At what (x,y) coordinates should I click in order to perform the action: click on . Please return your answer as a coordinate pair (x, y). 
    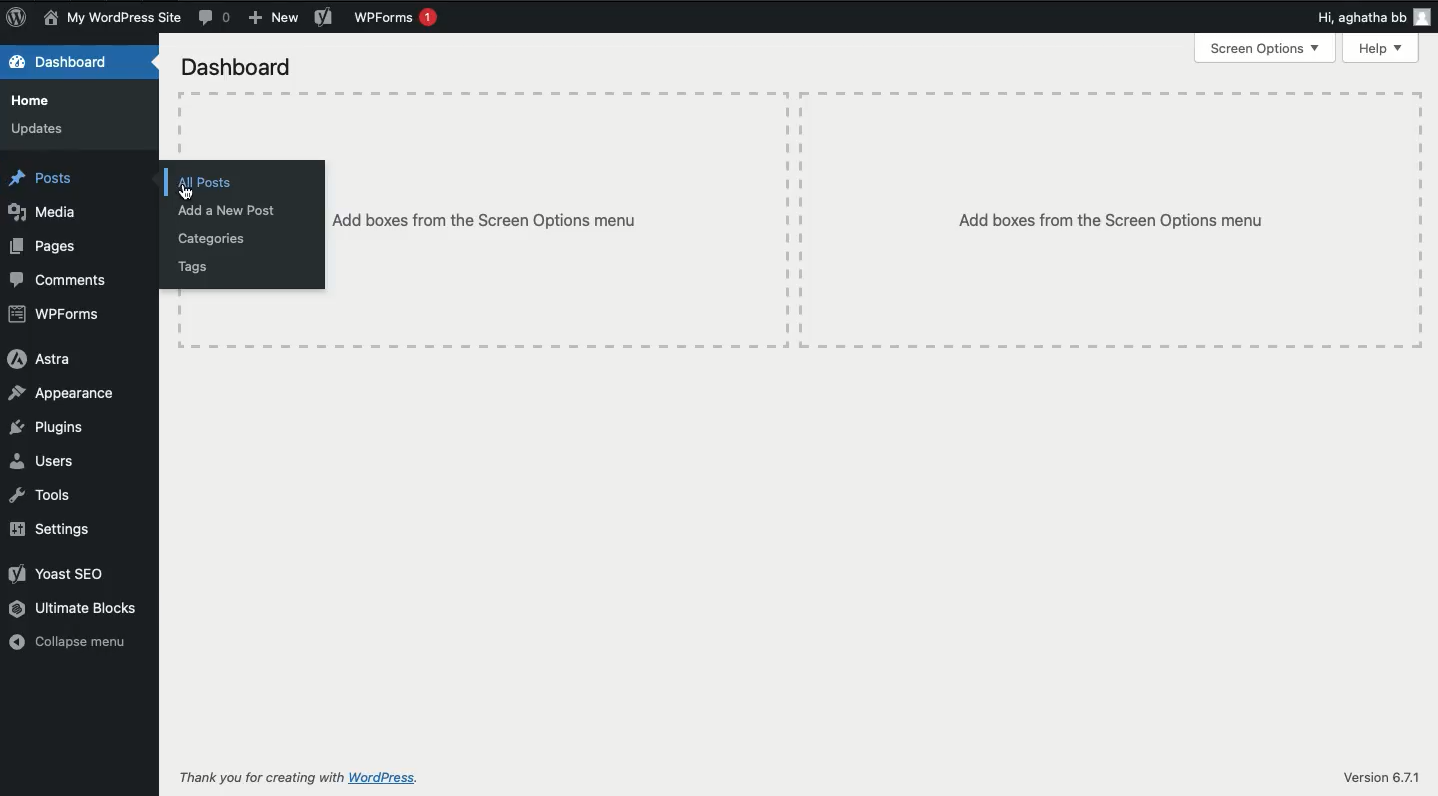
    Looking at the image, I should click on (61, 62).